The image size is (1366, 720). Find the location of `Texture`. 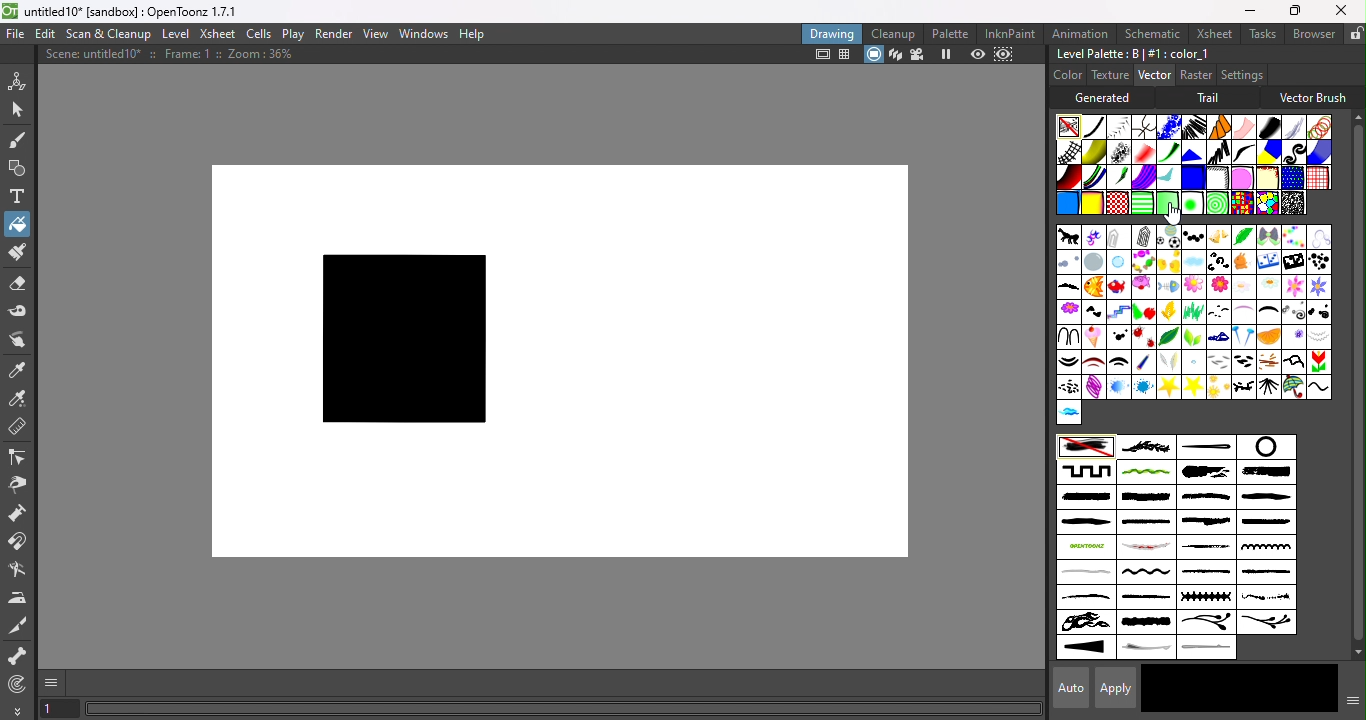

Texture is located at coordinates (1108, 75).